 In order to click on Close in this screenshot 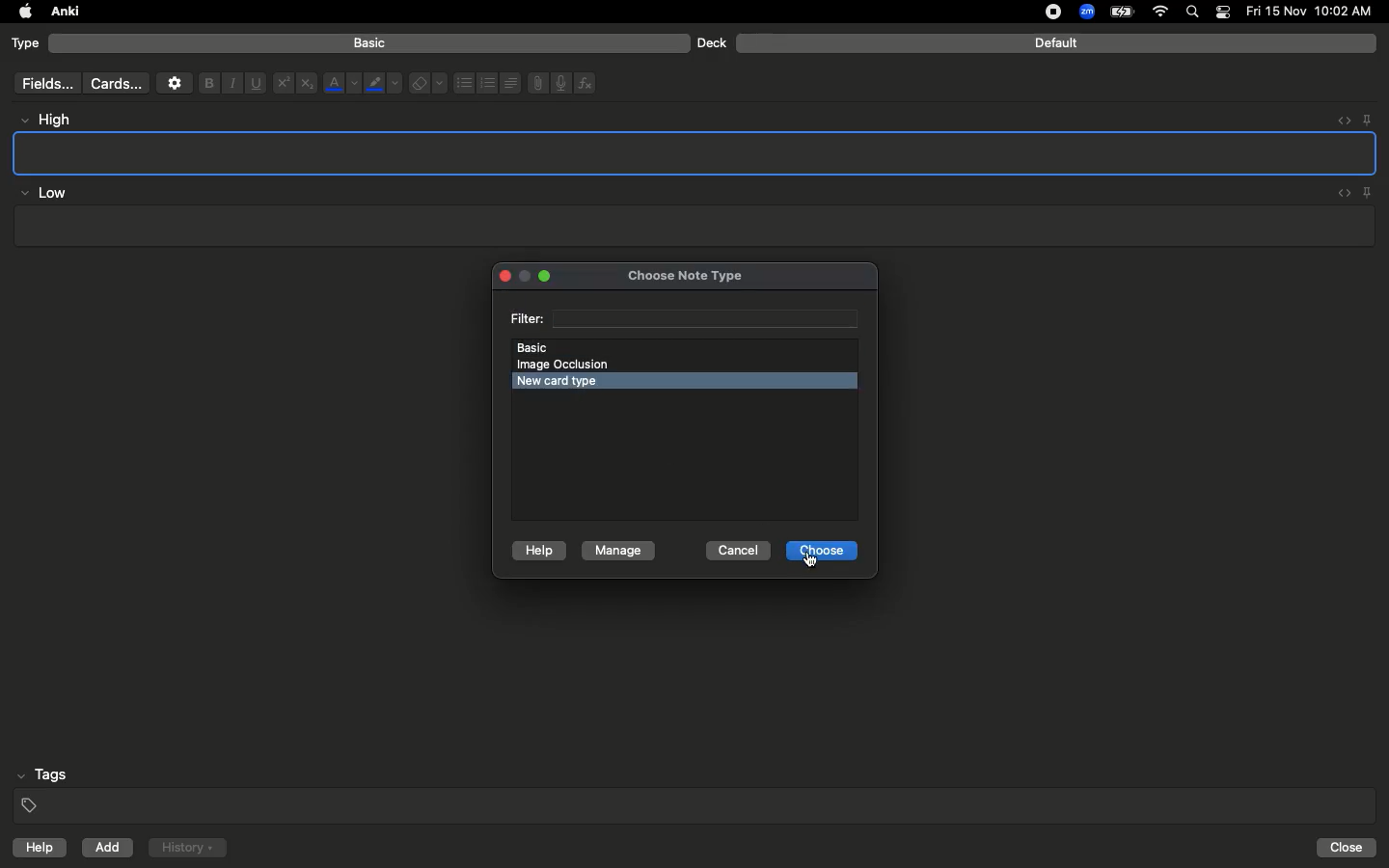, I will do `click(1349, 848)`.